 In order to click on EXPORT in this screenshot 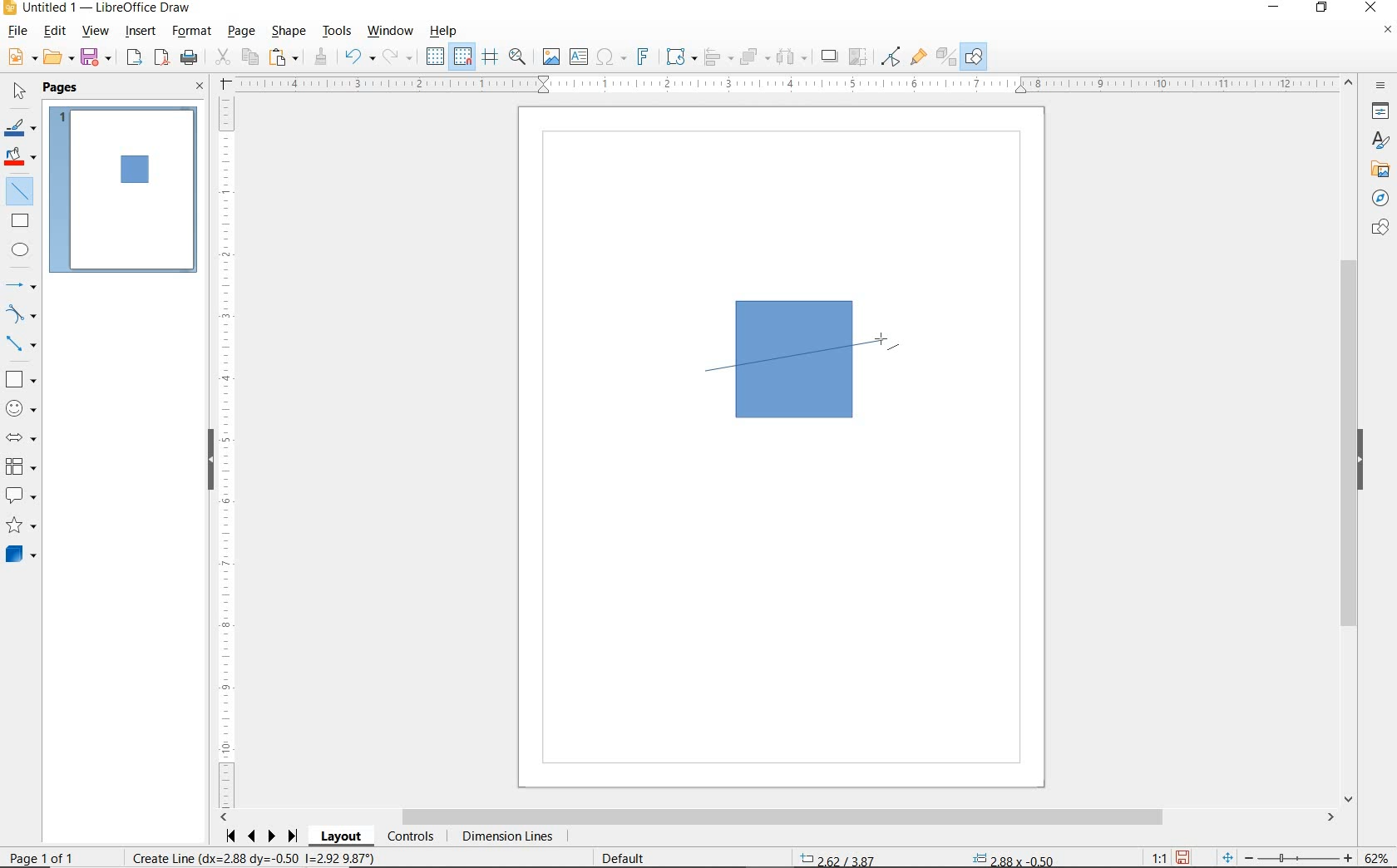, I will do `click(135, 59)`.